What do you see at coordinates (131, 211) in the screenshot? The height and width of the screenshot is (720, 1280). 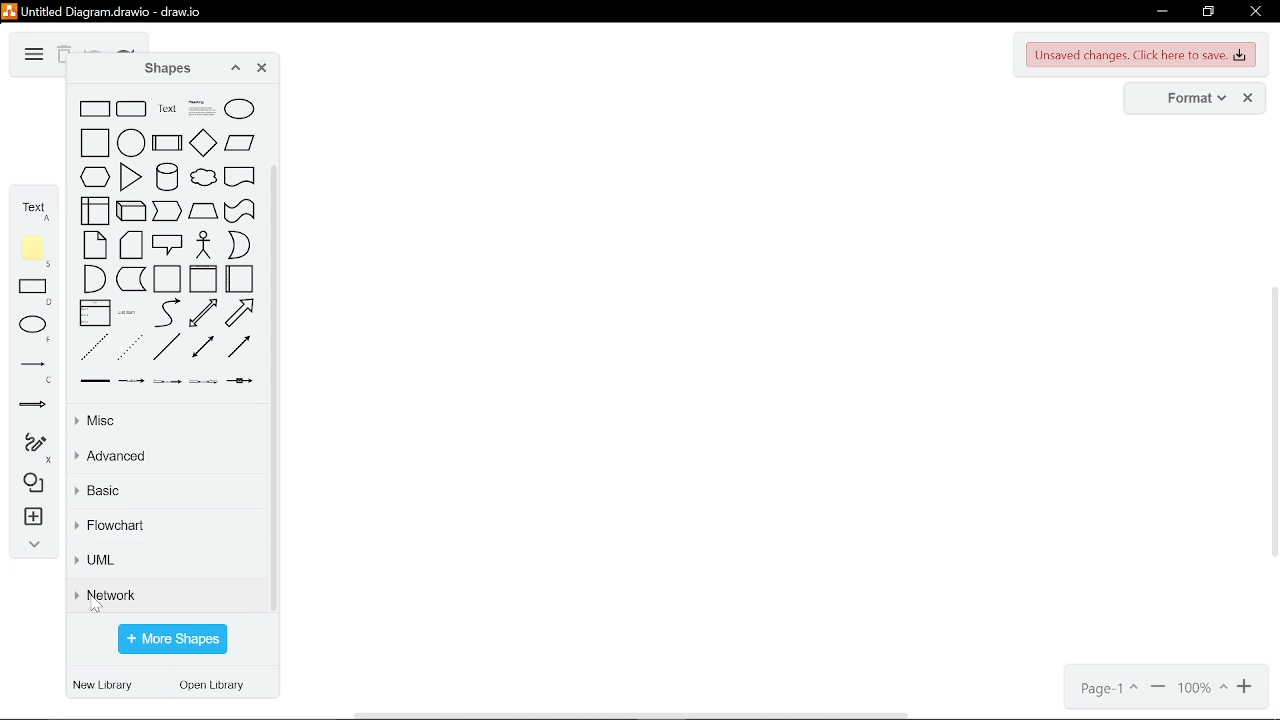 I see `cube` at bounding box center [131, 211].